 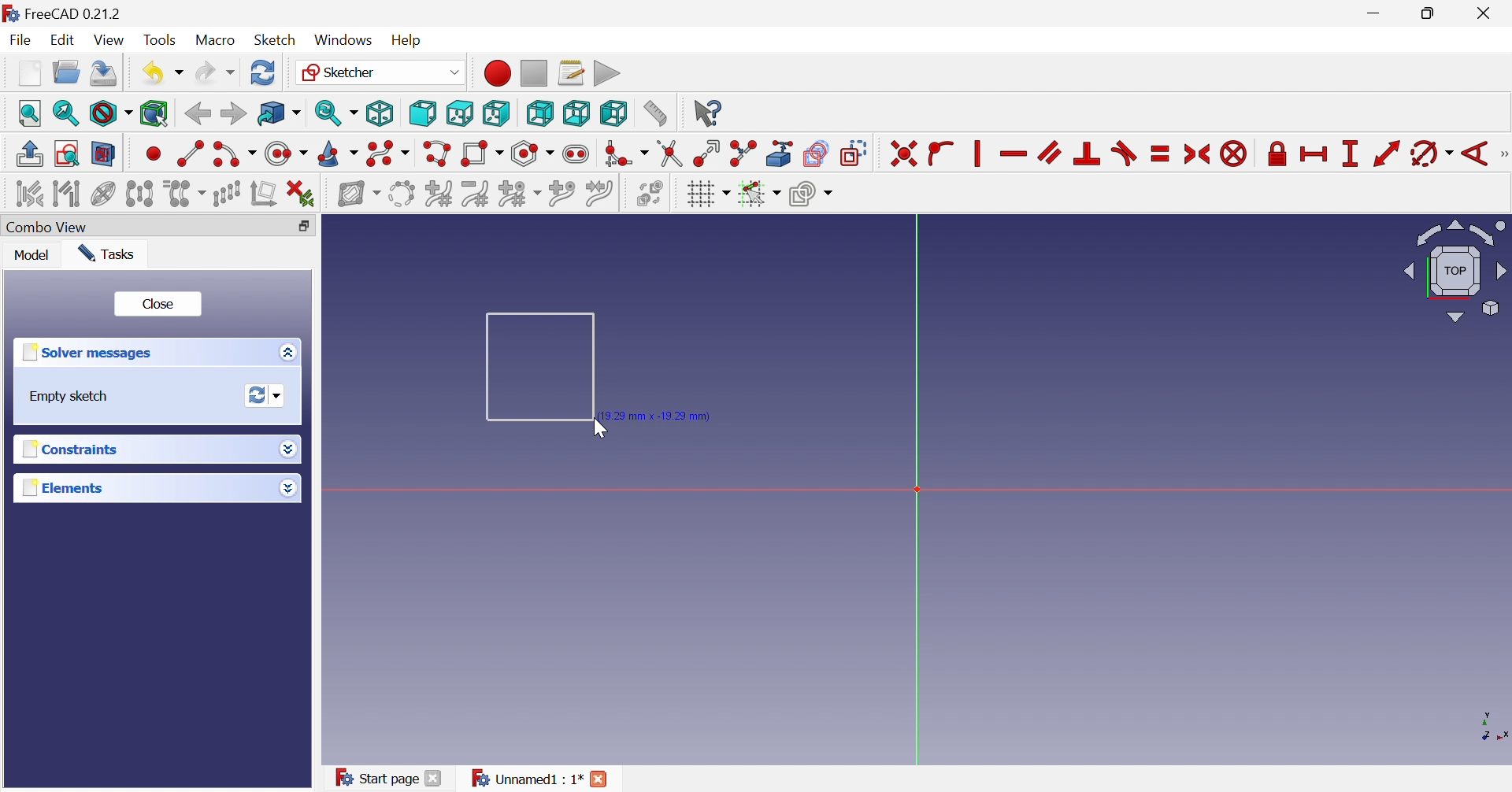 What do you see at coordinates (197, 114) in the screenshot?
I see `Back` at bounding box center [197, 114].